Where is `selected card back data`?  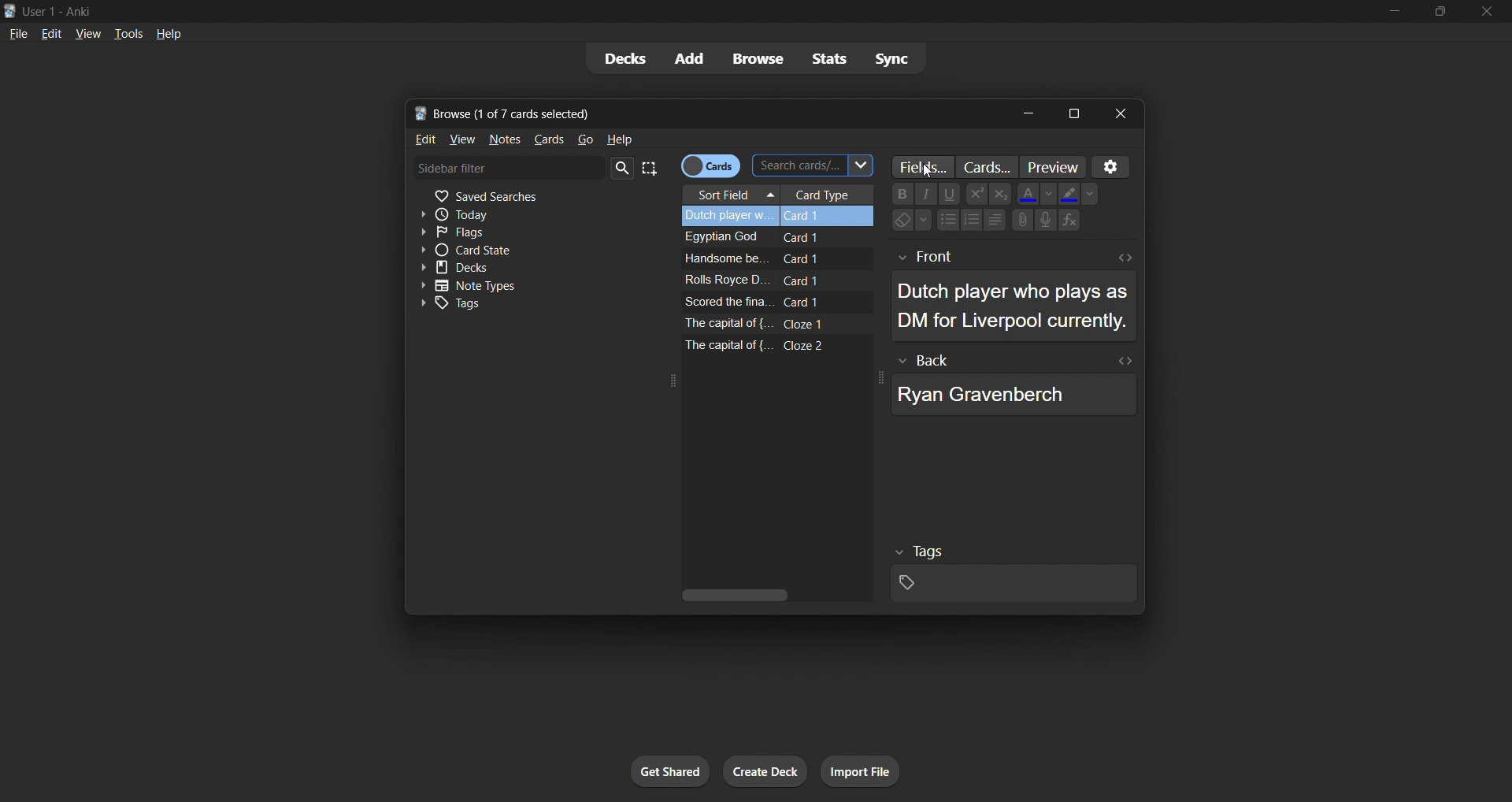 selected card back data is located at coordinates (1007, 388).